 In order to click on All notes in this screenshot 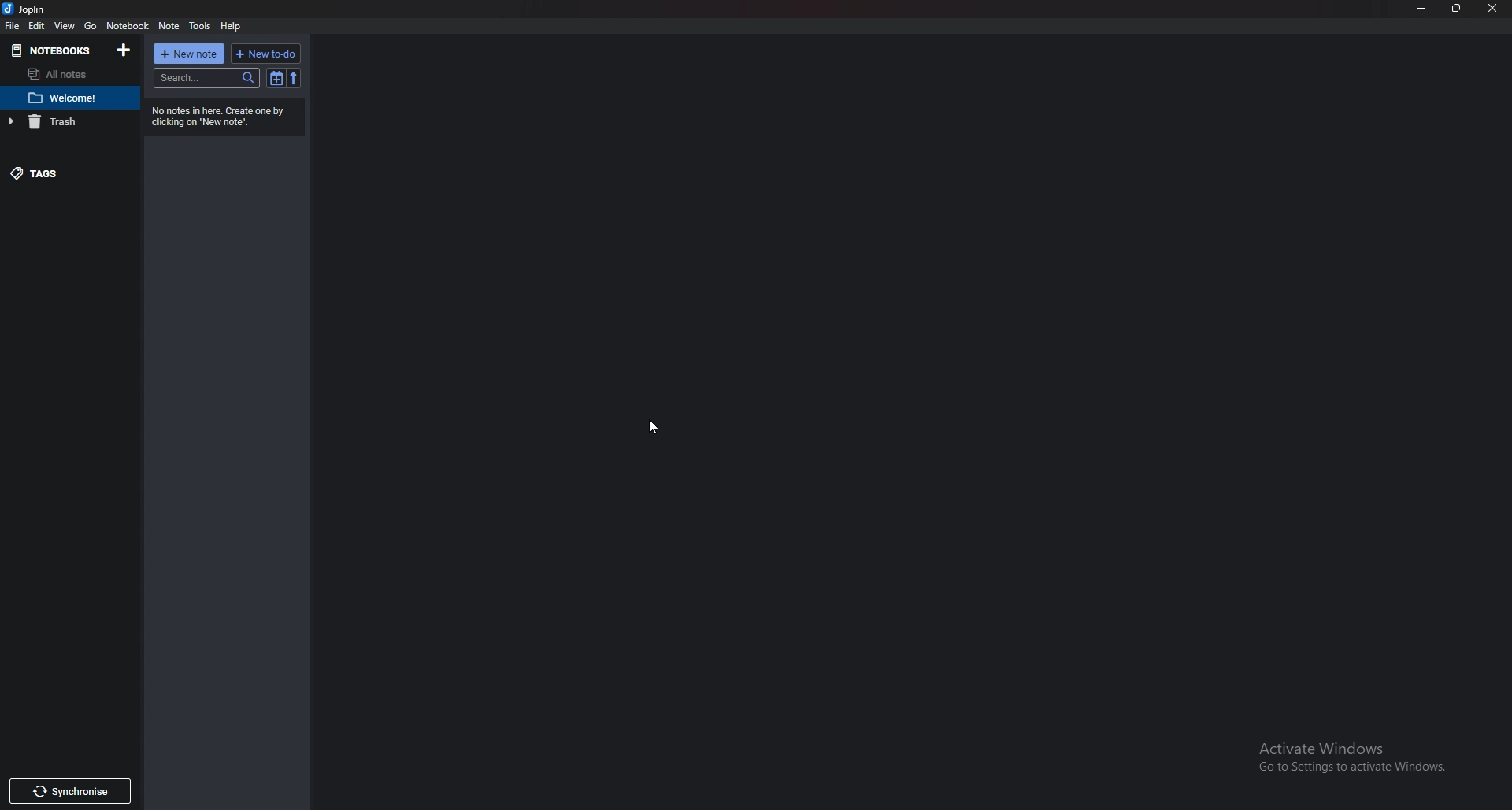, I will do `click(65, 74)`.